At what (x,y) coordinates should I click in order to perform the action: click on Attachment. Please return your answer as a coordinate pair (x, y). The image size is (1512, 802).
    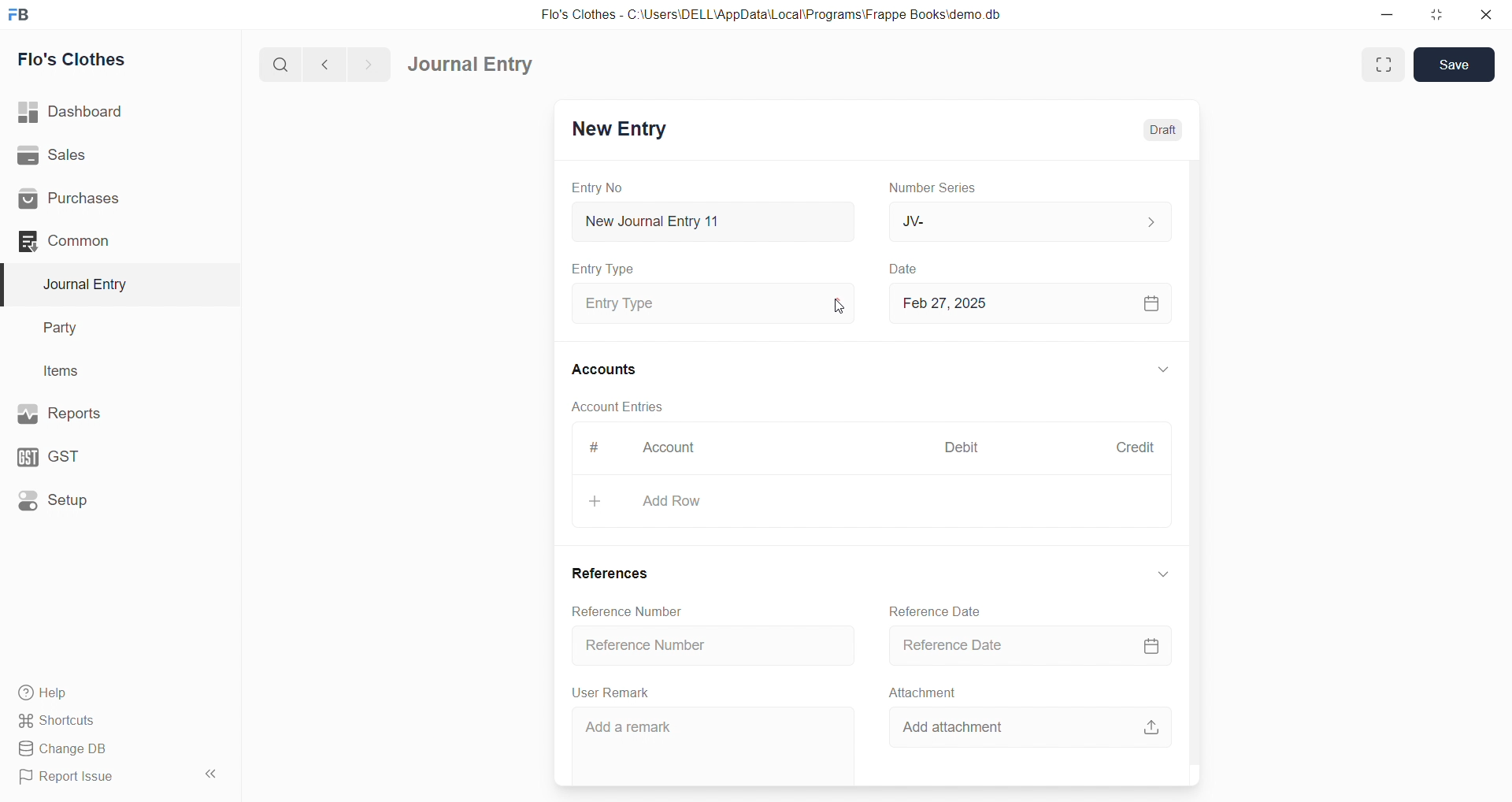
    Looking at the image, I should click on (922, 692).